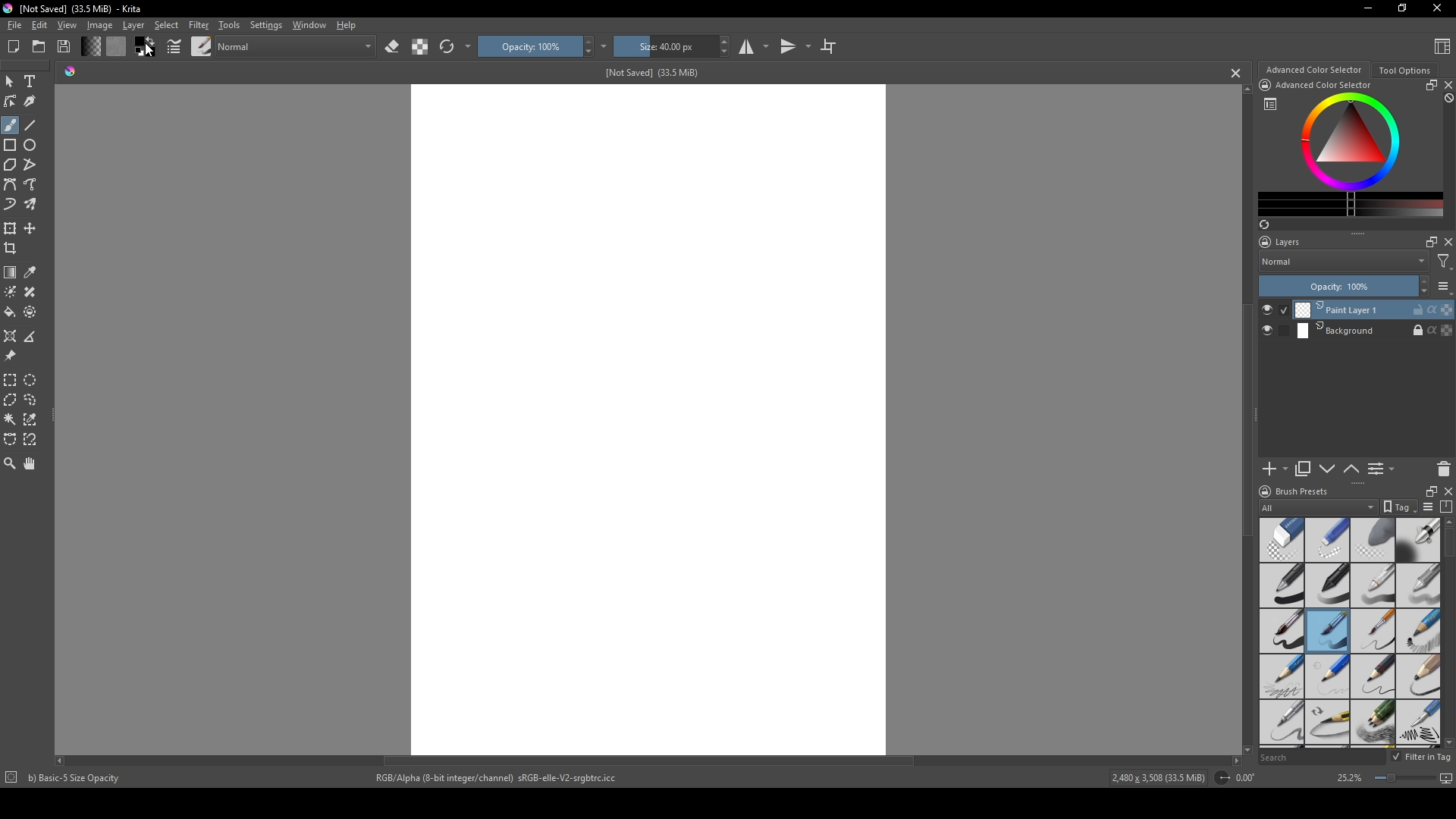  Describe the element at coordinates (32, 441) in the screenshot. I see `magnetic curve` at that location.